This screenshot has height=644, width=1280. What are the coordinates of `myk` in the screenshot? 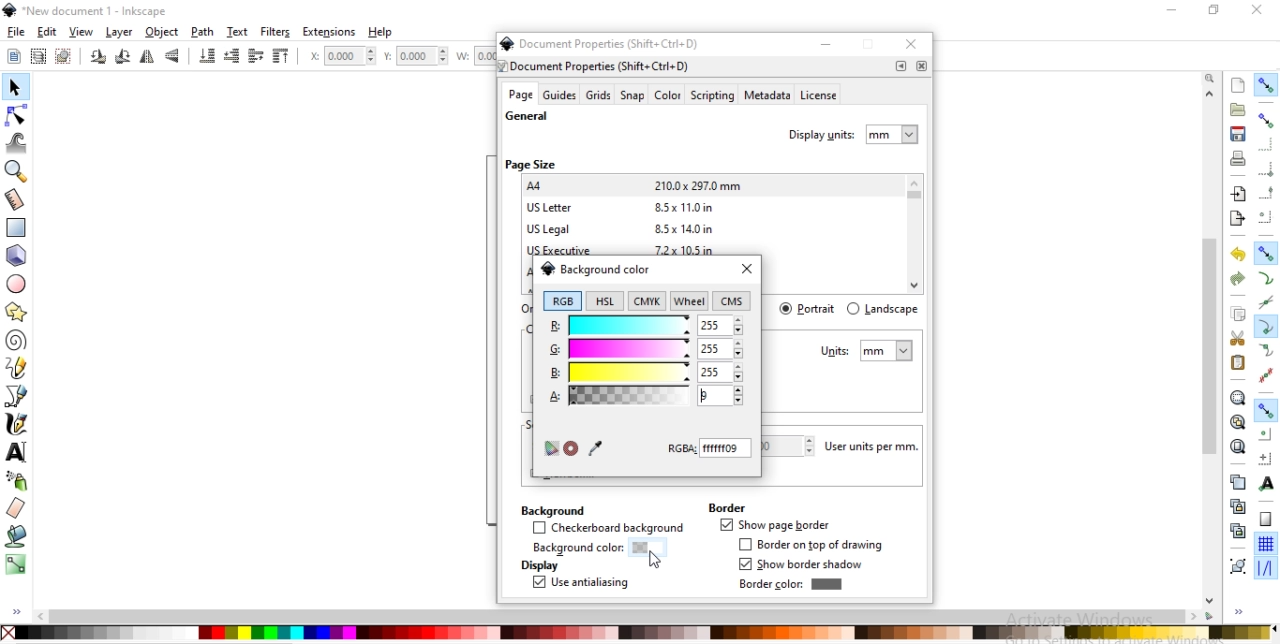 It's located at (650, 300).